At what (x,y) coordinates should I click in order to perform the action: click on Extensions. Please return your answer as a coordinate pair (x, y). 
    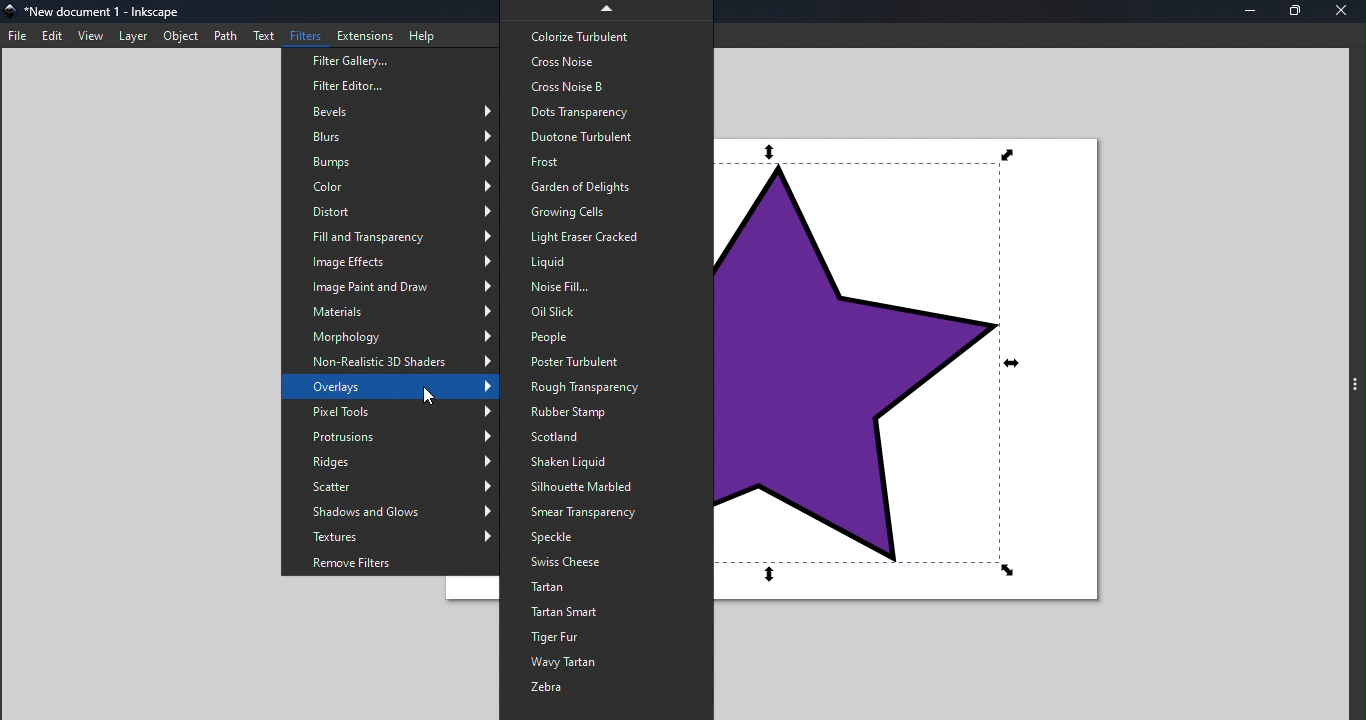
    Looking at the image, I should click on (362, 35).